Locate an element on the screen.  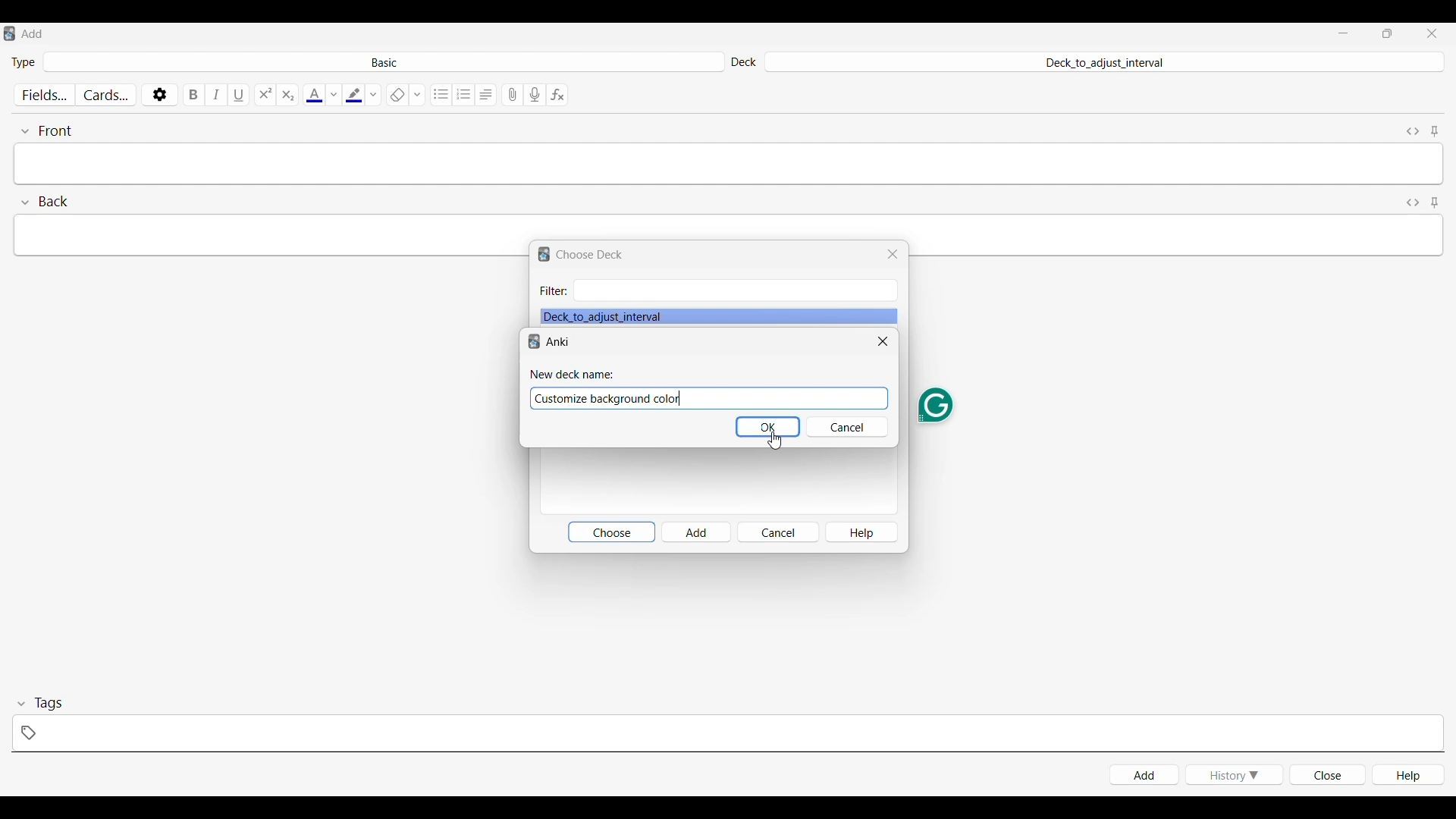
 is located at coordinates (1235, 774).